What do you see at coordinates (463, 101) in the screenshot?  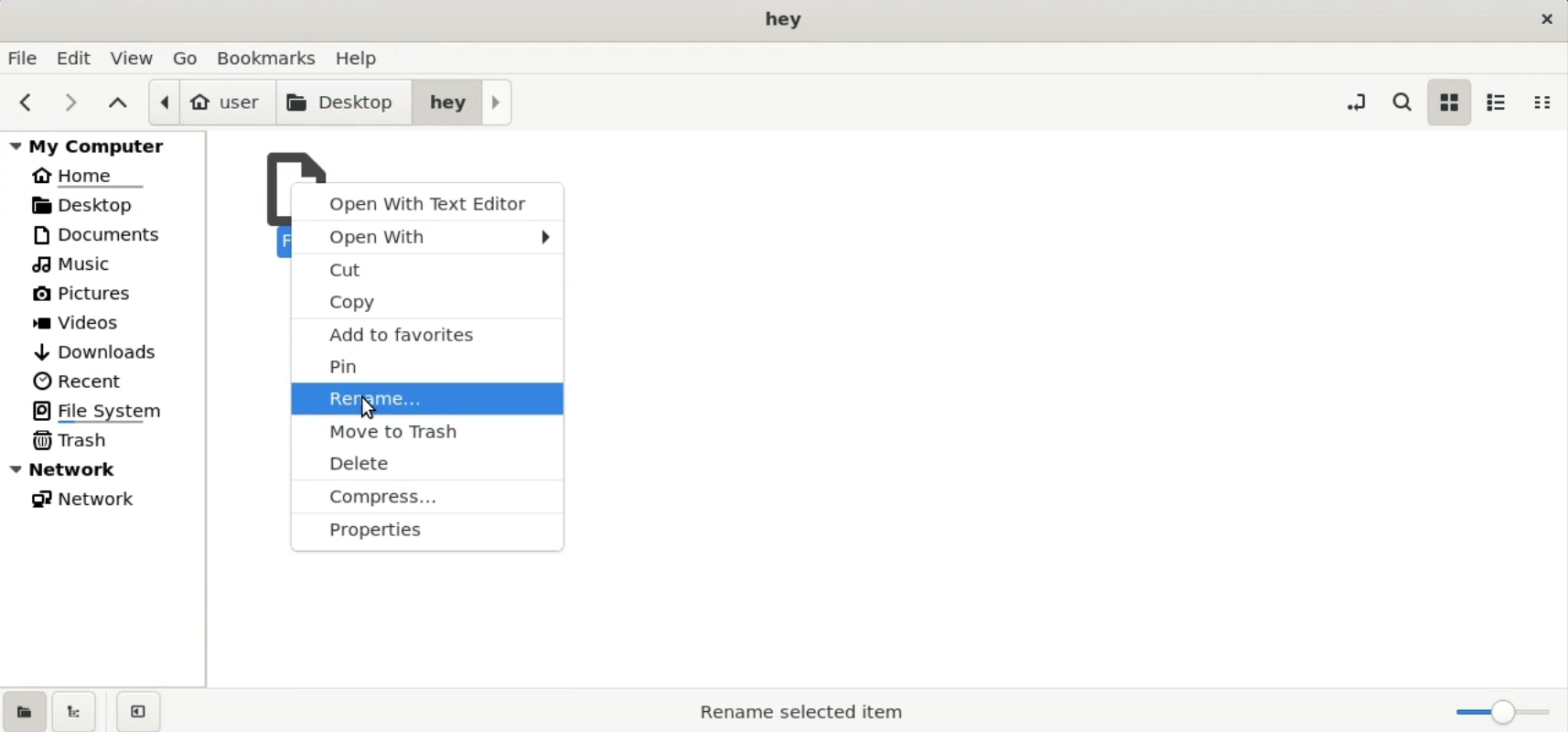 I see `hey` at bounding box center [463, 101].